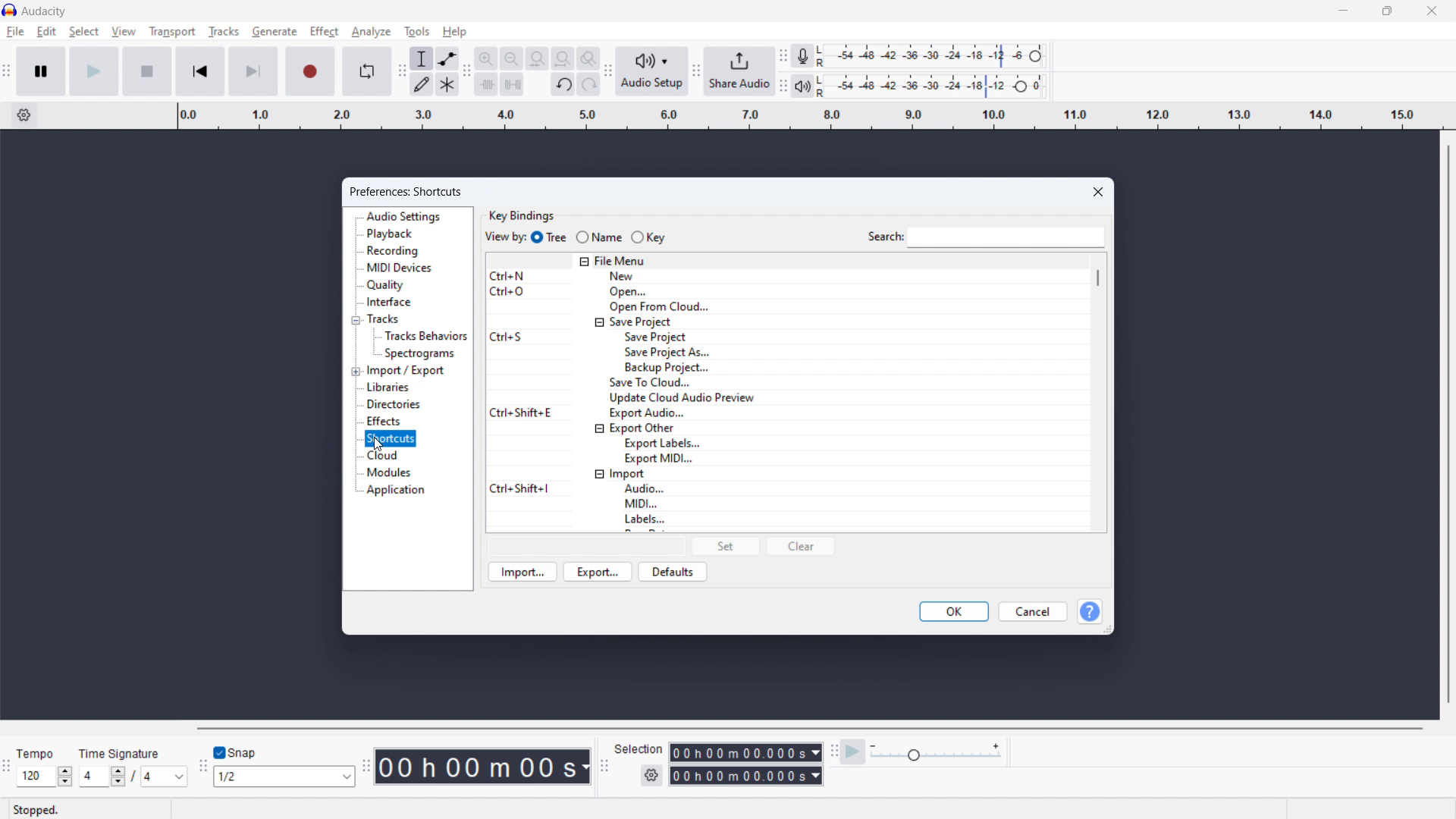  Describe the element at coordinates (802, 546) in the screenshot. I see `clear` at that location.